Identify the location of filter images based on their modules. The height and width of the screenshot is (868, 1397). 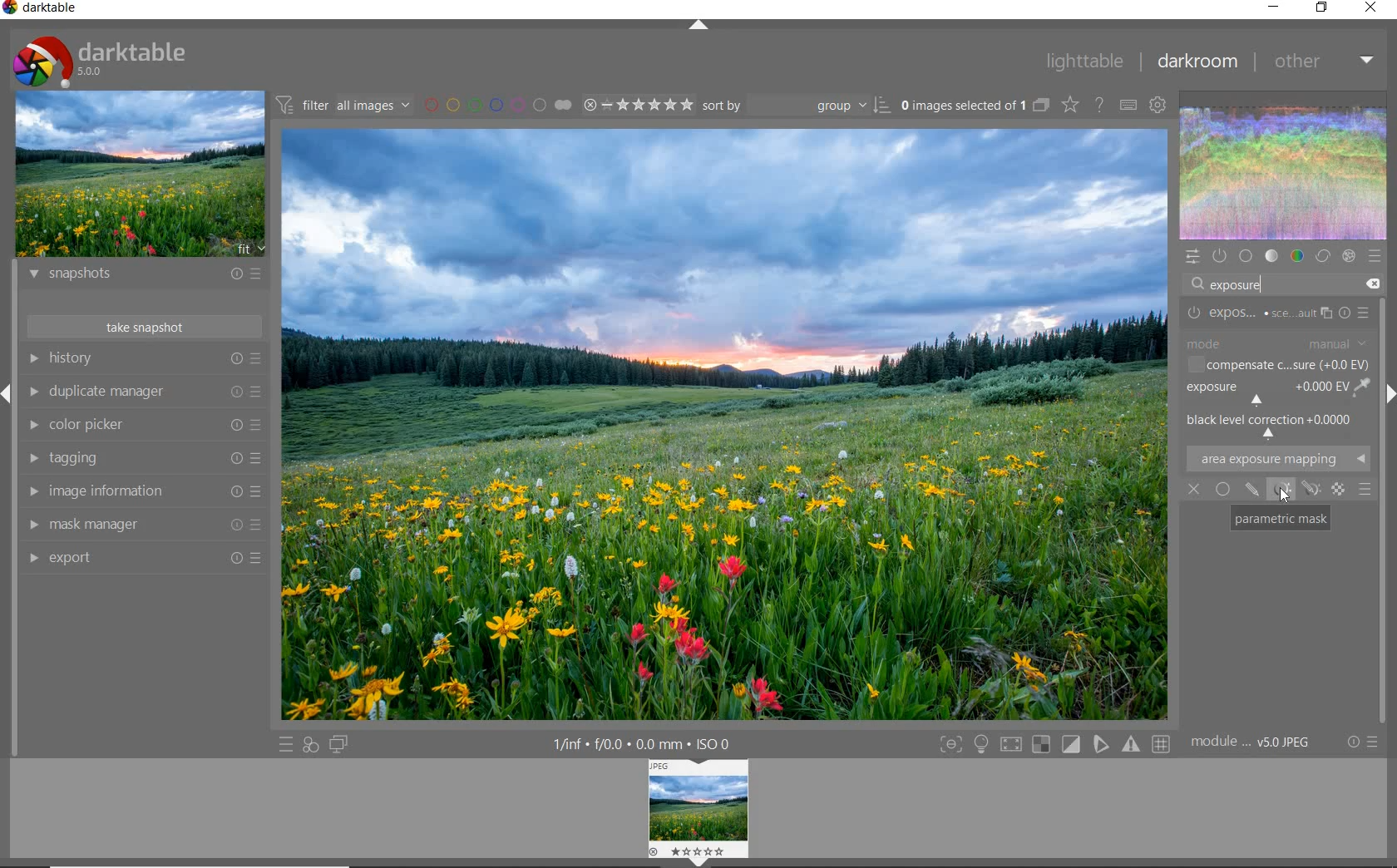
(345, 104).